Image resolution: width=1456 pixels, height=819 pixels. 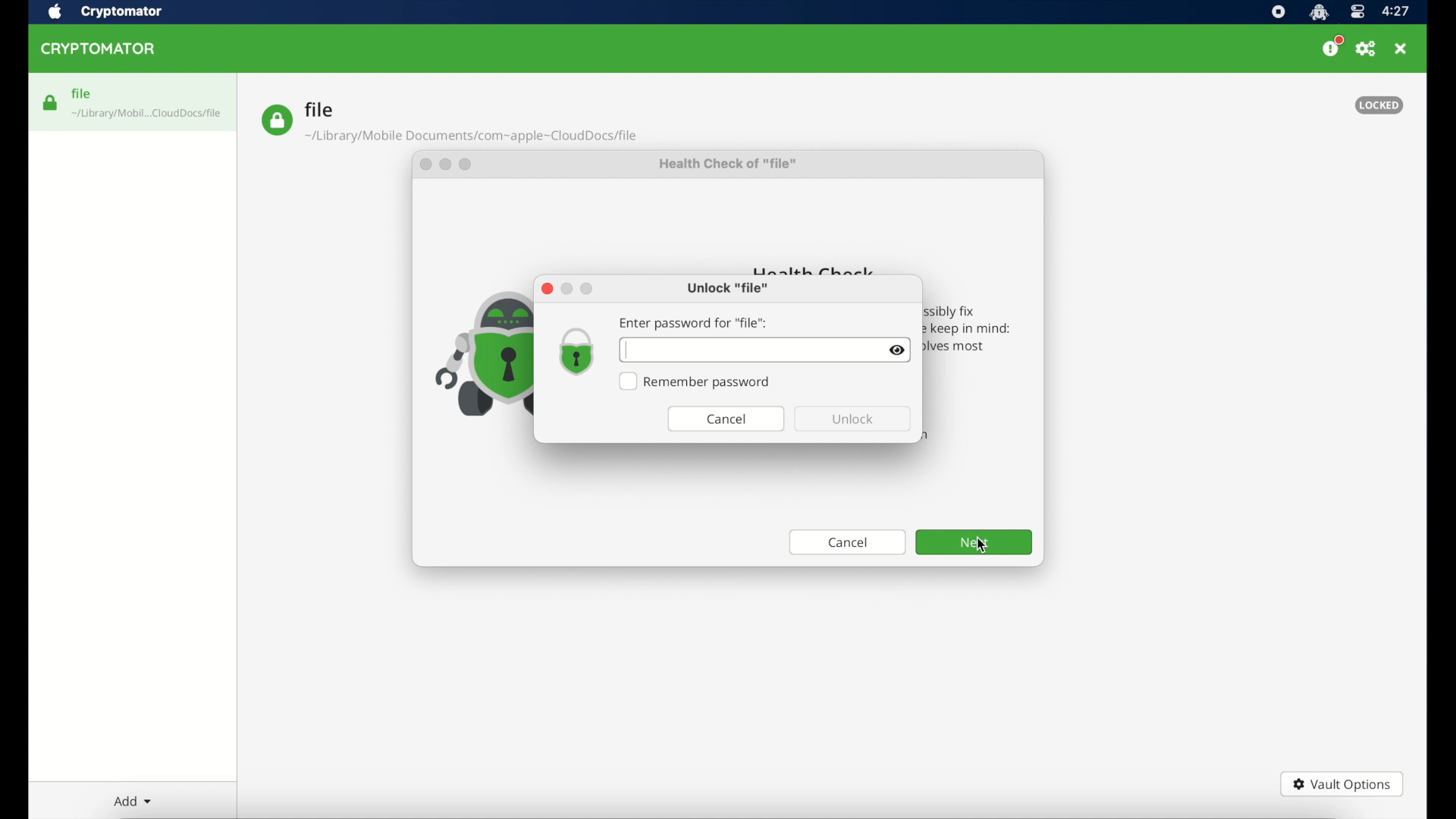 What do you see at coordinates (1379, 105) in the screenshot?
I see `locked` at bounding box center [1379, 105].